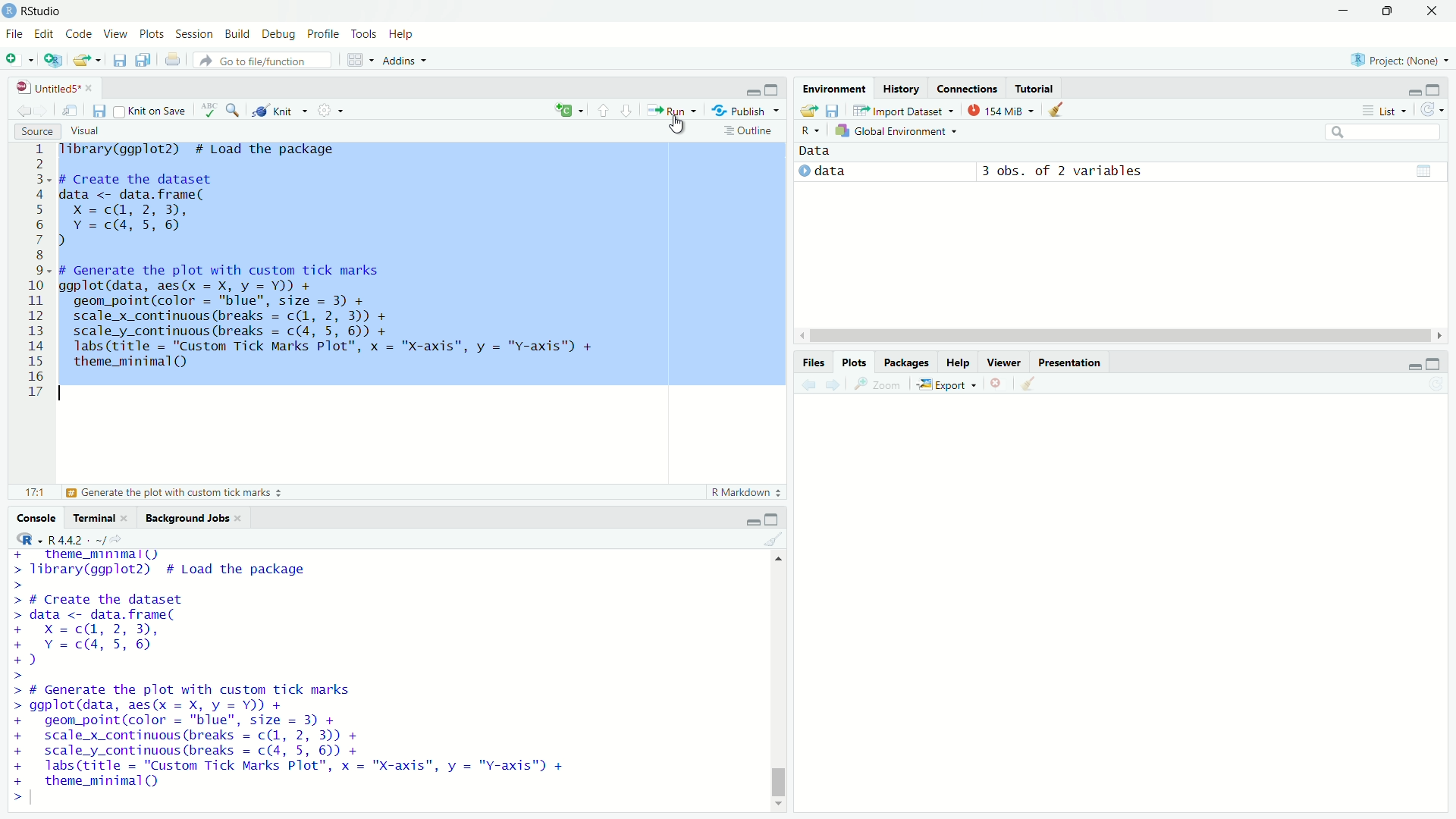 Image resolution: width=1456 pixels, height=819 pixels. What do you see at coordinates (675, 127) in the screenshot?
I see `cursor` at bounding box center [675, 127].